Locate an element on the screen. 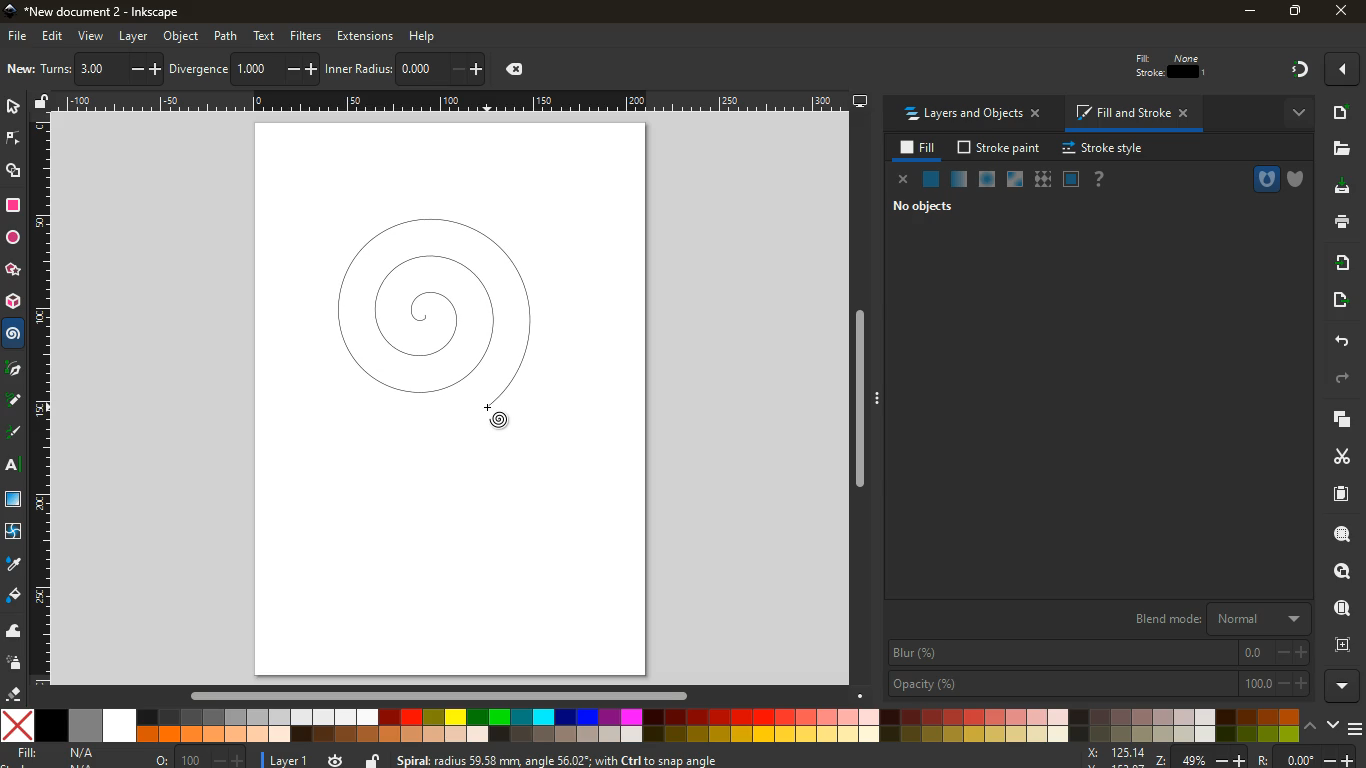  maximize is located at coordinates (1293, 10).